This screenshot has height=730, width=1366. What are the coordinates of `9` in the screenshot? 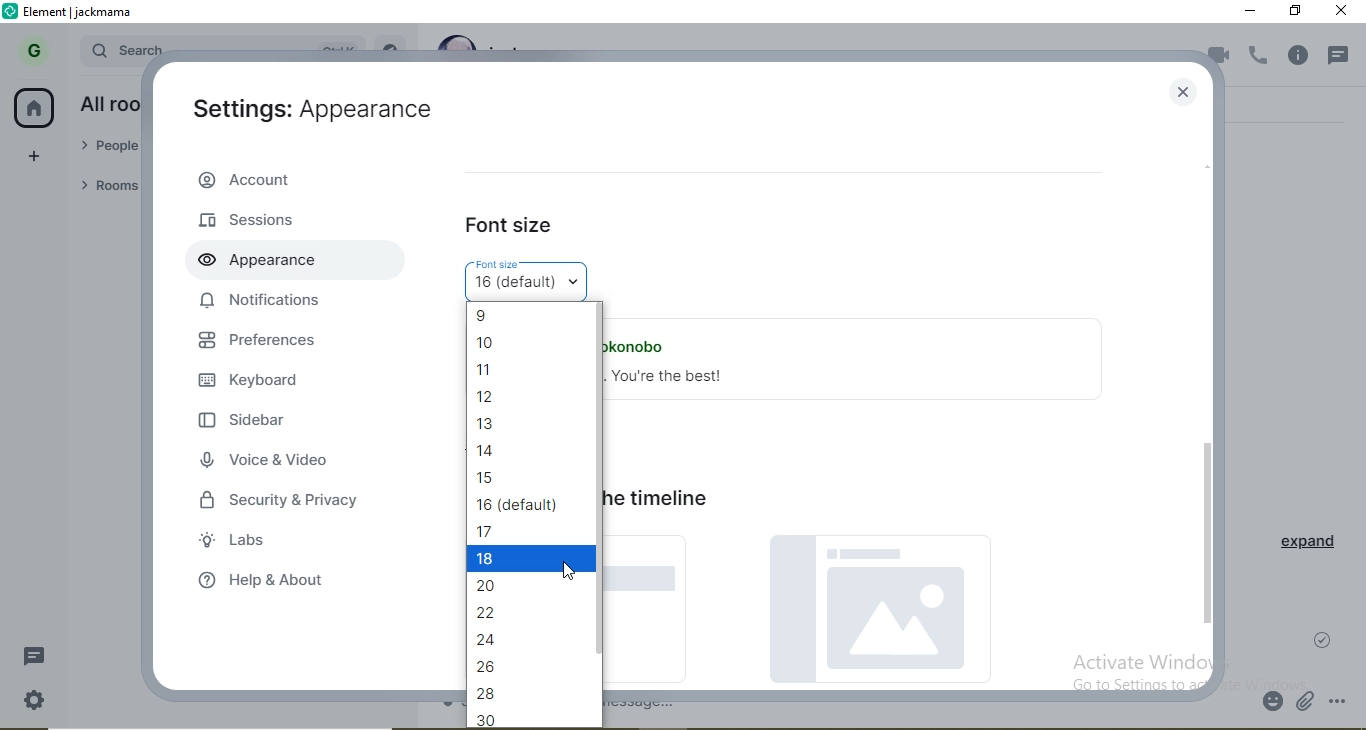 It's located at (510, 315).